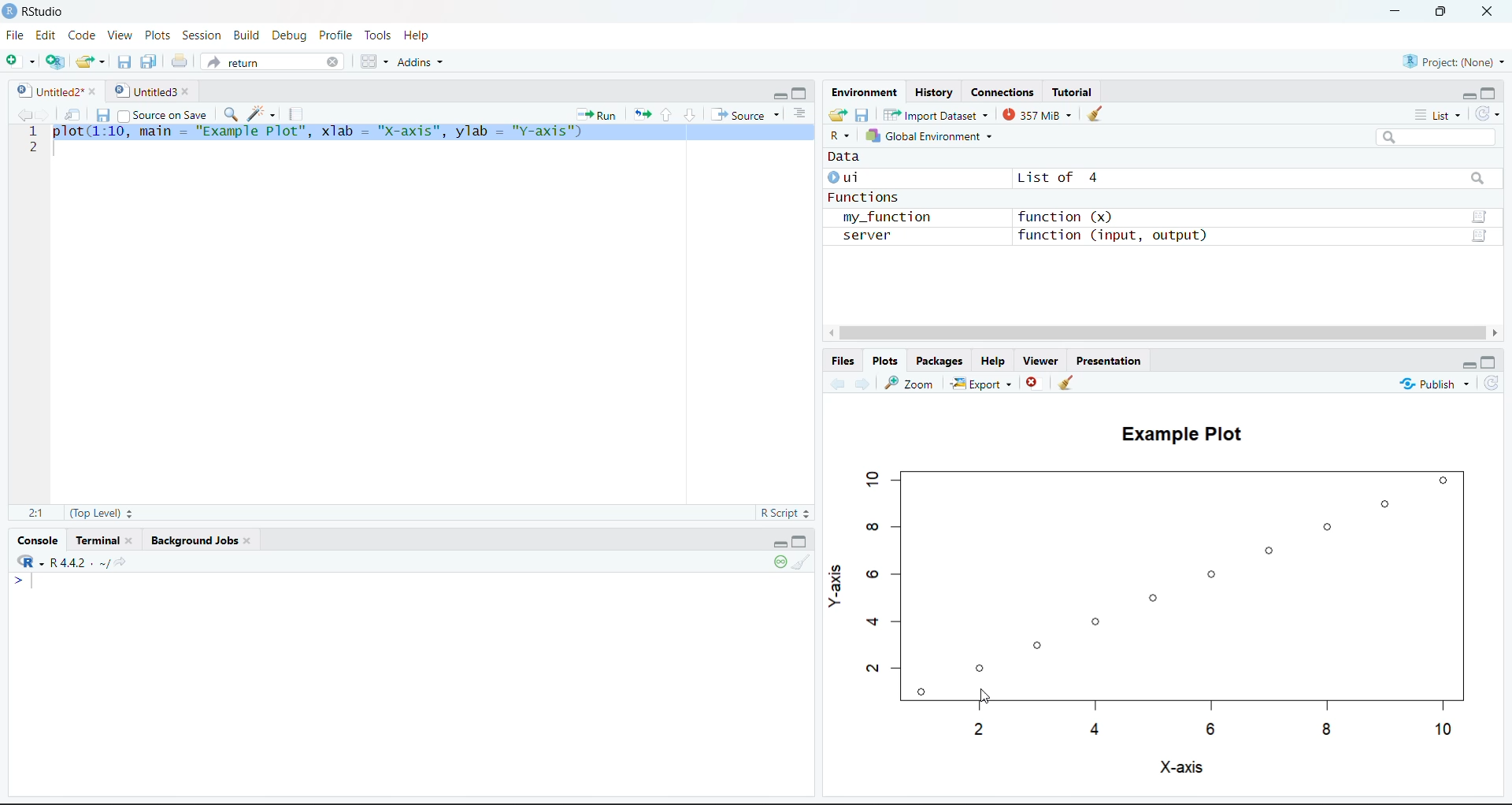  What do you see at coordinates (17, 34) in the screenshot?
I see `File` at bounding box center [17, 34].